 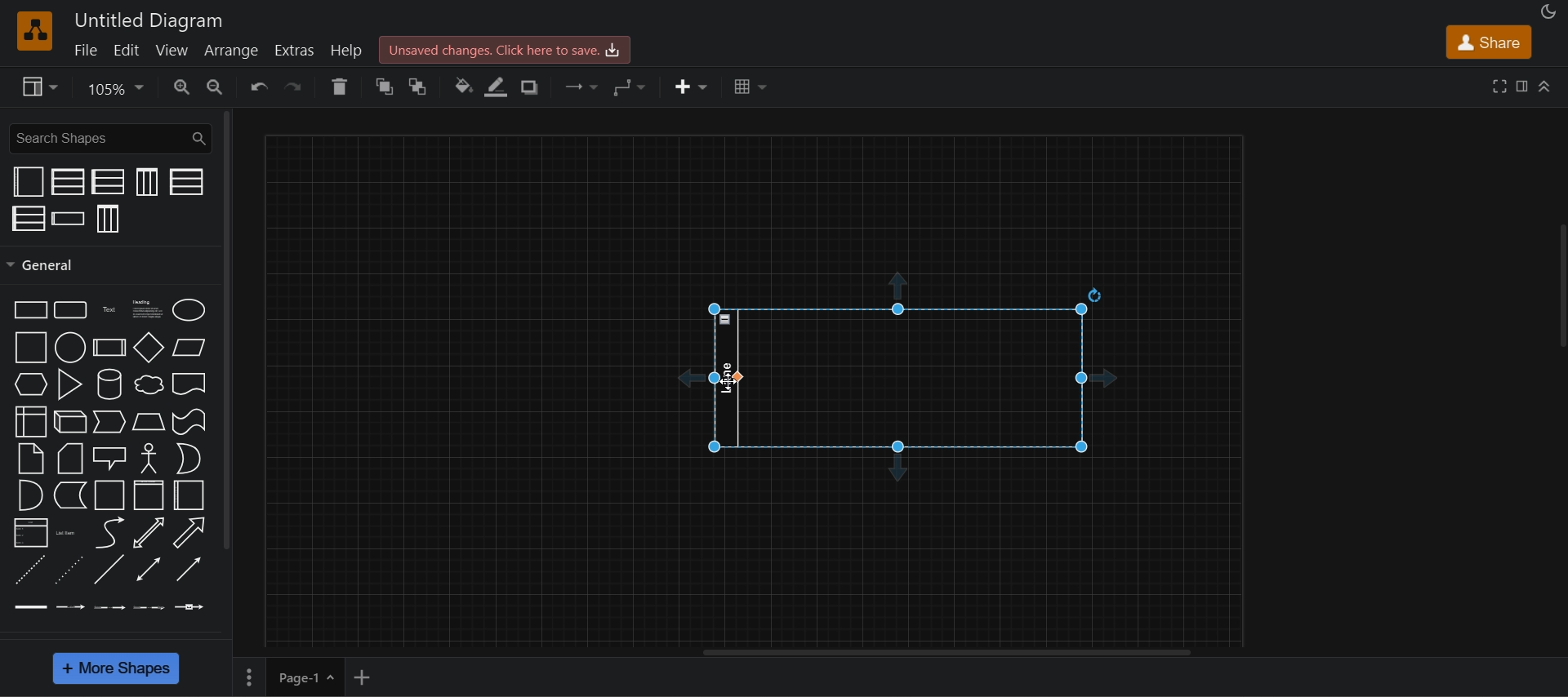 I want to click on page 1, so click(x=305, y=677).